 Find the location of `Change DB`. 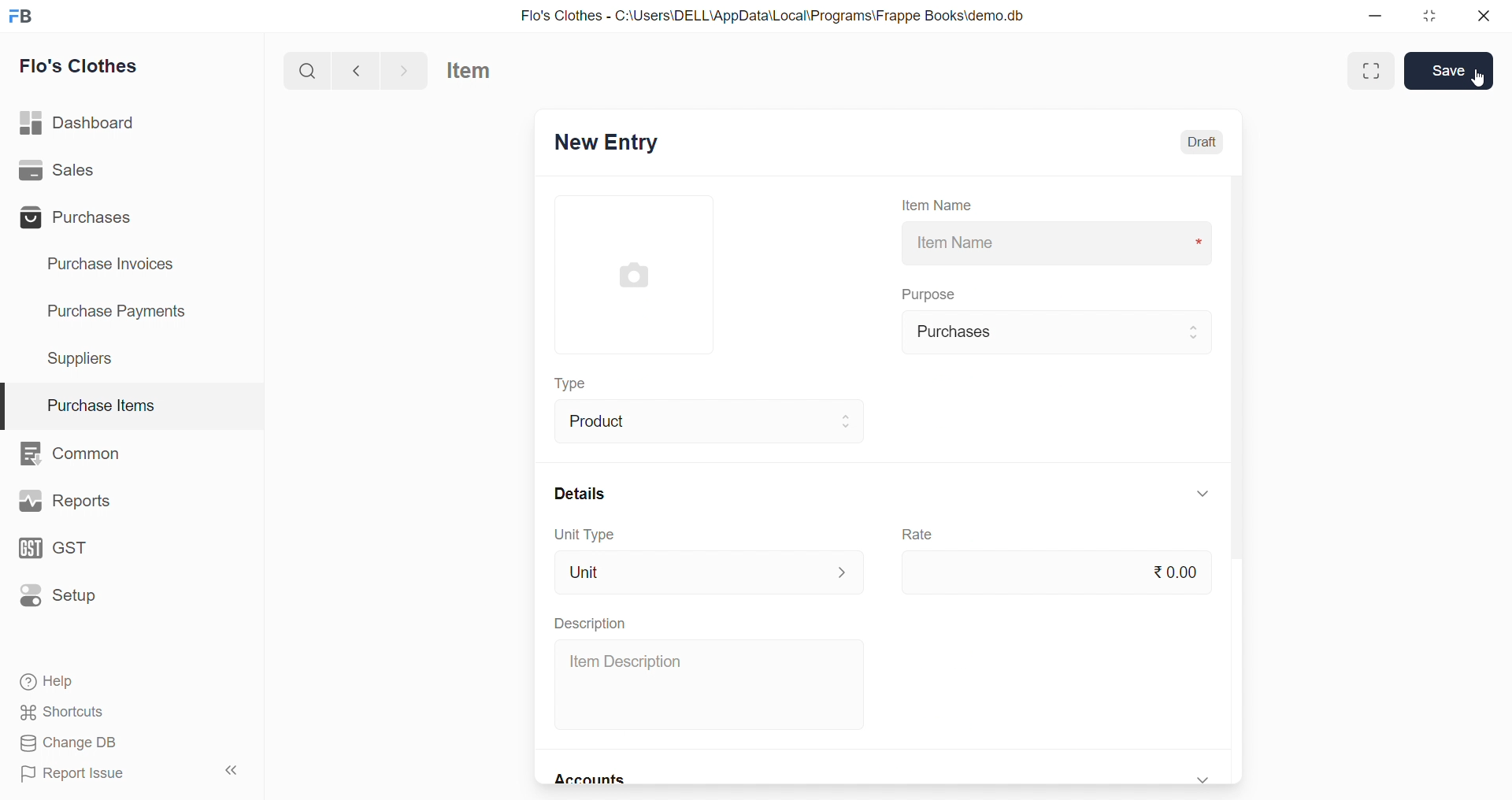

Change DB is located at coordinates (124, 743).